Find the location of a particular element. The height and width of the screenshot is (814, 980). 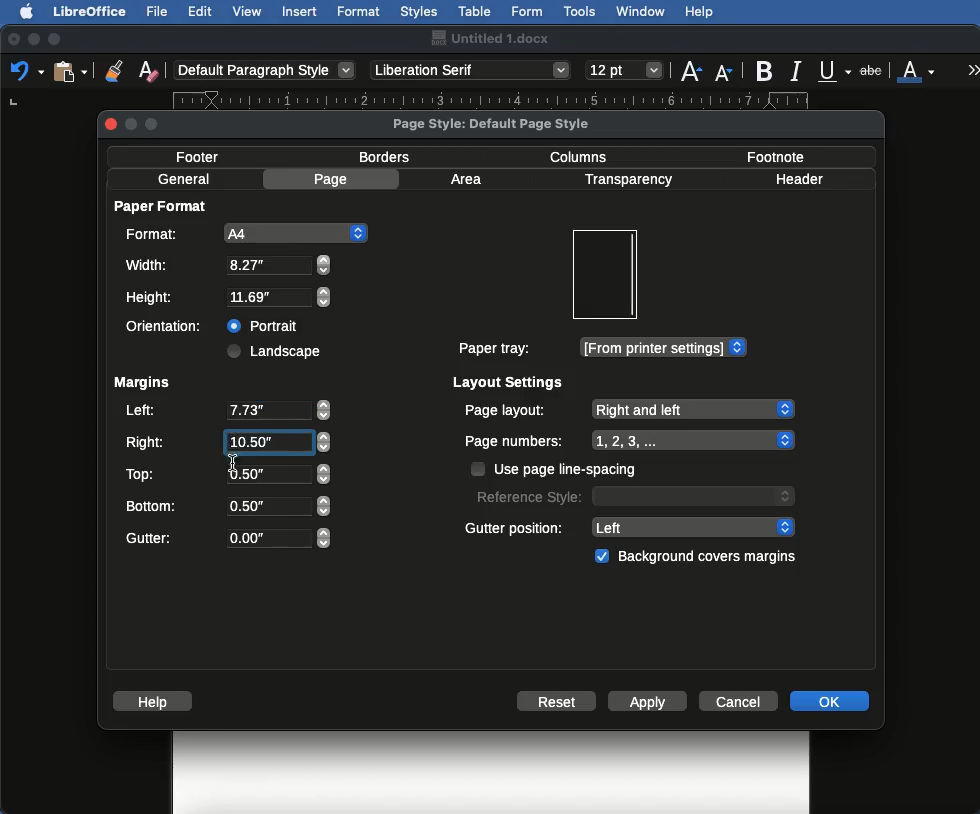

Font color is located at coordinates (917, 69).